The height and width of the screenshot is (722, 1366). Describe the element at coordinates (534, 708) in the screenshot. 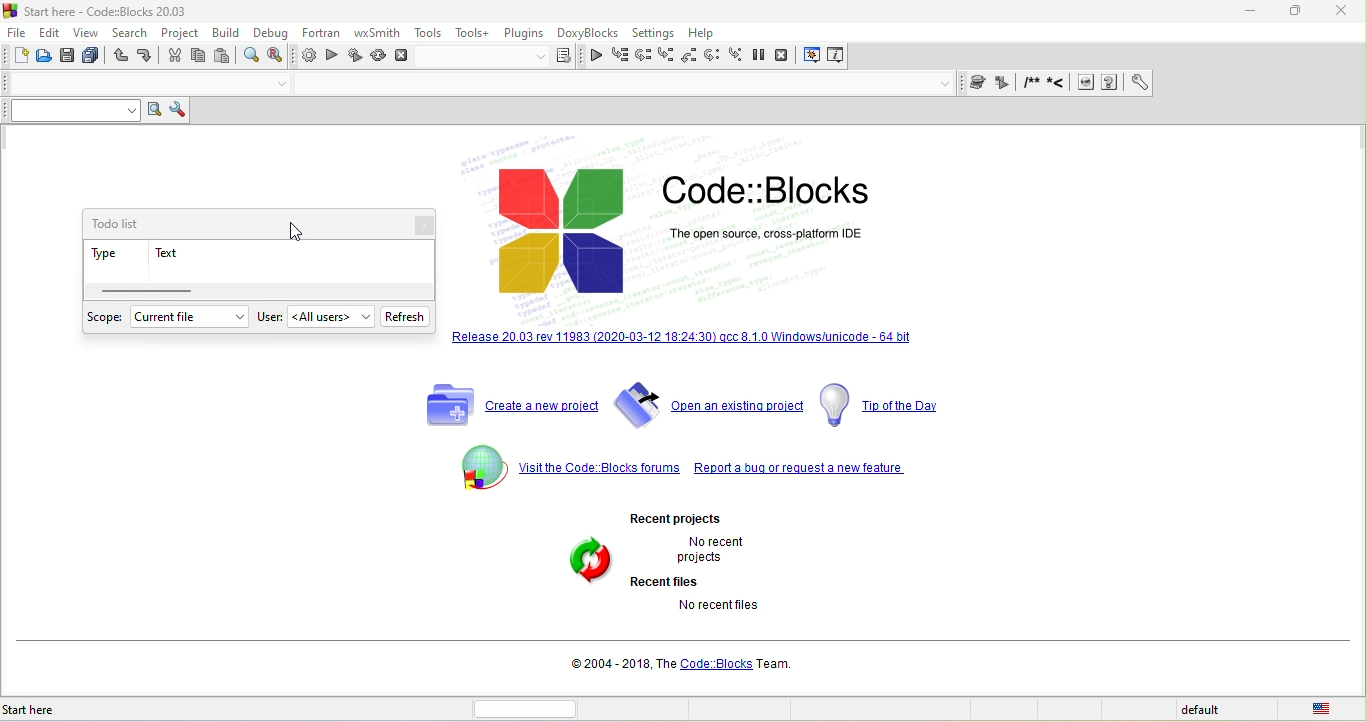

I see `horizontal scroll bar` at that location.